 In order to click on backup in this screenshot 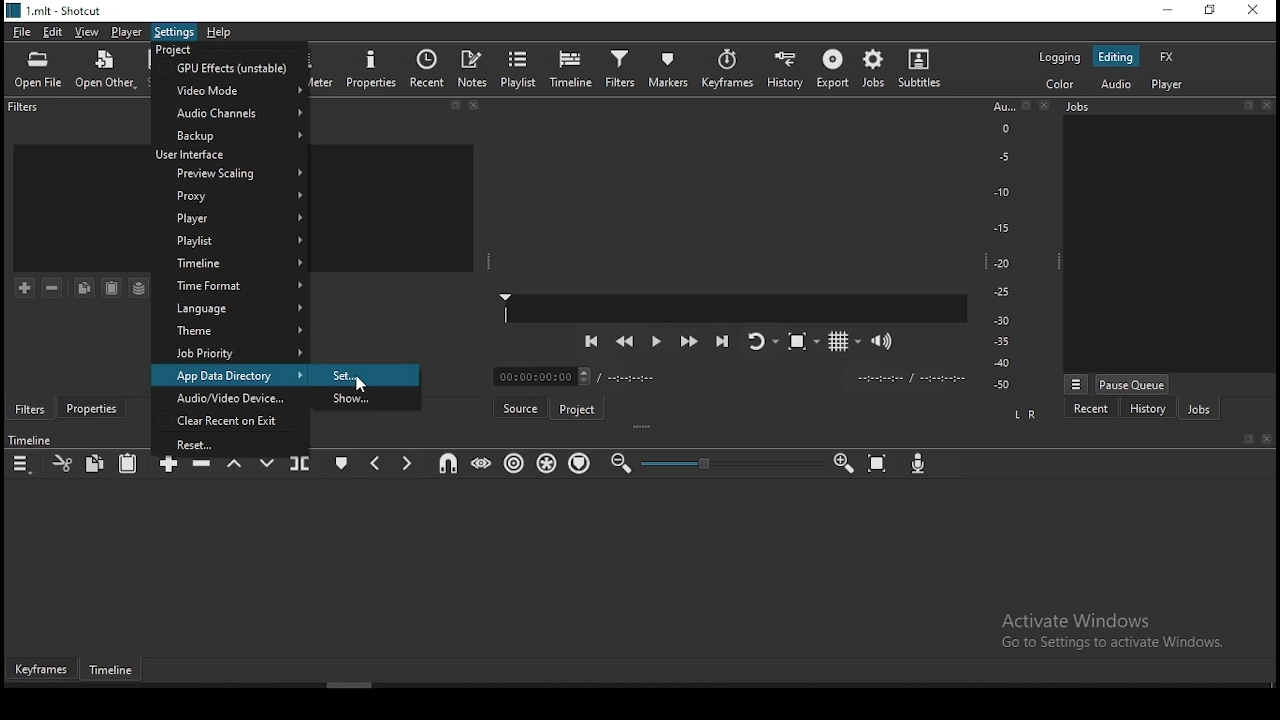, I will do `click(231, 135)`.